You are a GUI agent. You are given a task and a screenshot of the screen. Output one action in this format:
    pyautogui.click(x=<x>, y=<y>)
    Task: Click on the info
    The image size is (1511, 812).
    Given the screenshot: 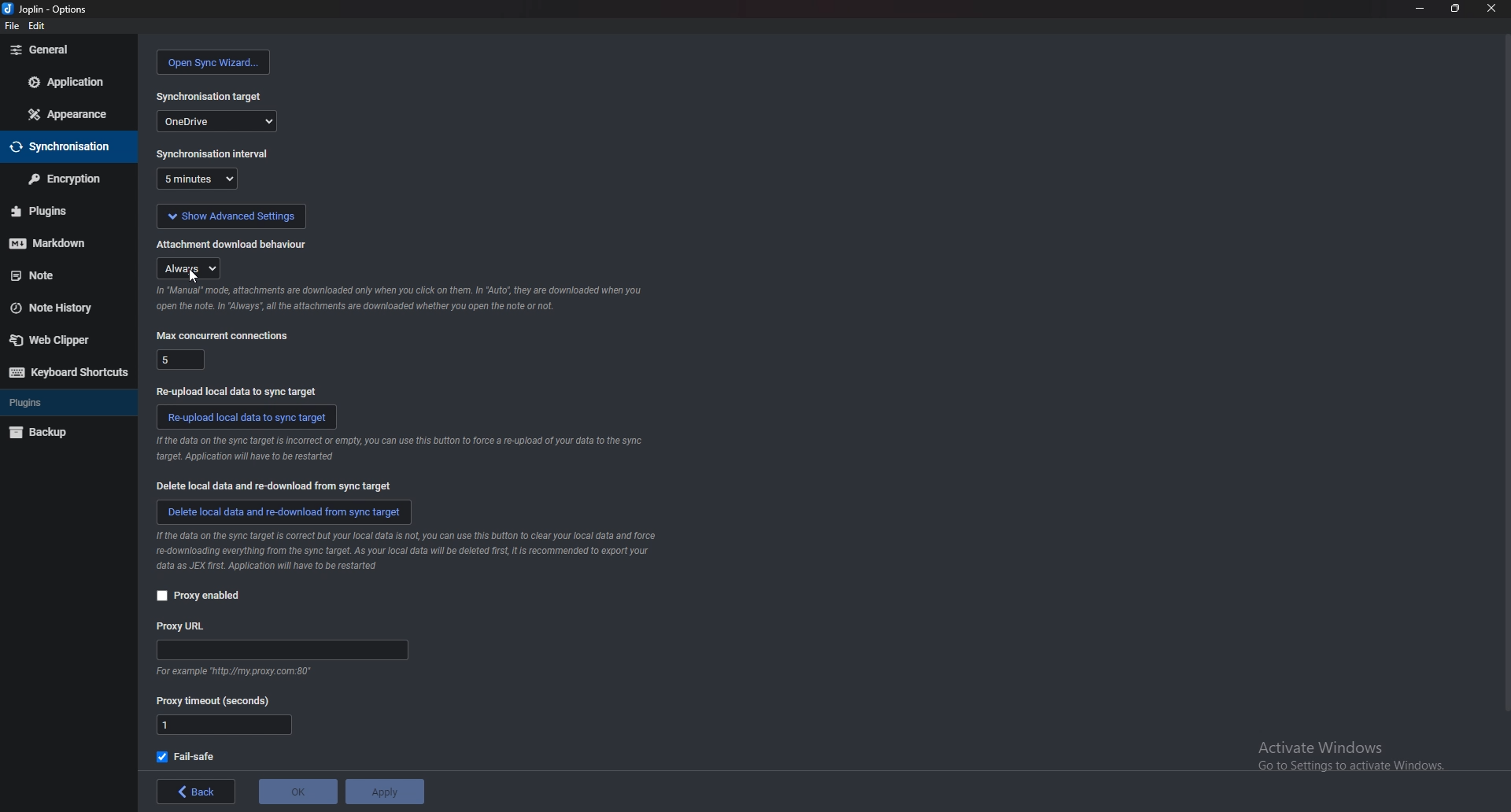 What is the action you would take?
    pyautogui.click(x=401, y=448)
    